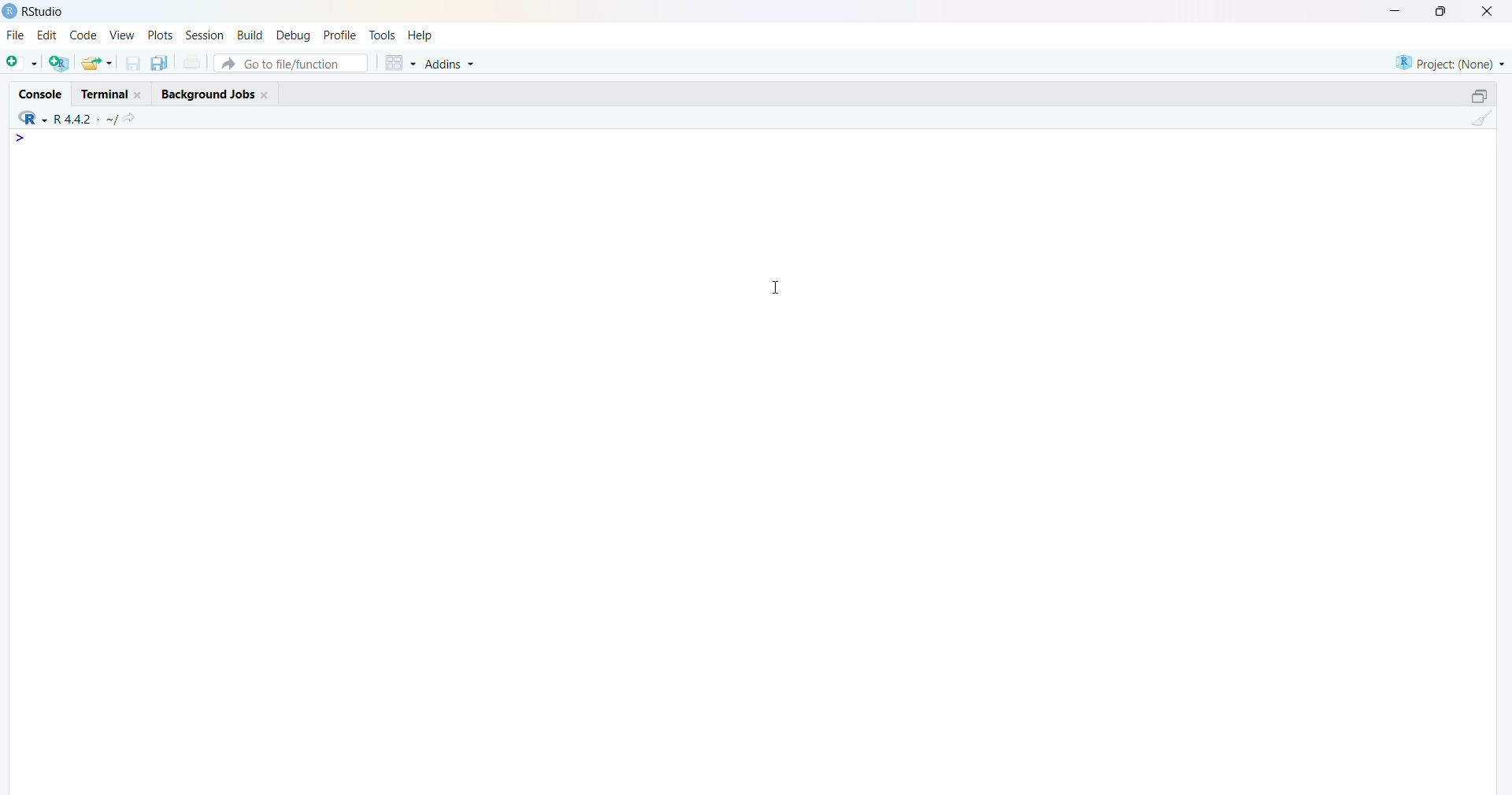  I want to click on Background jobs, so click(207, 96).